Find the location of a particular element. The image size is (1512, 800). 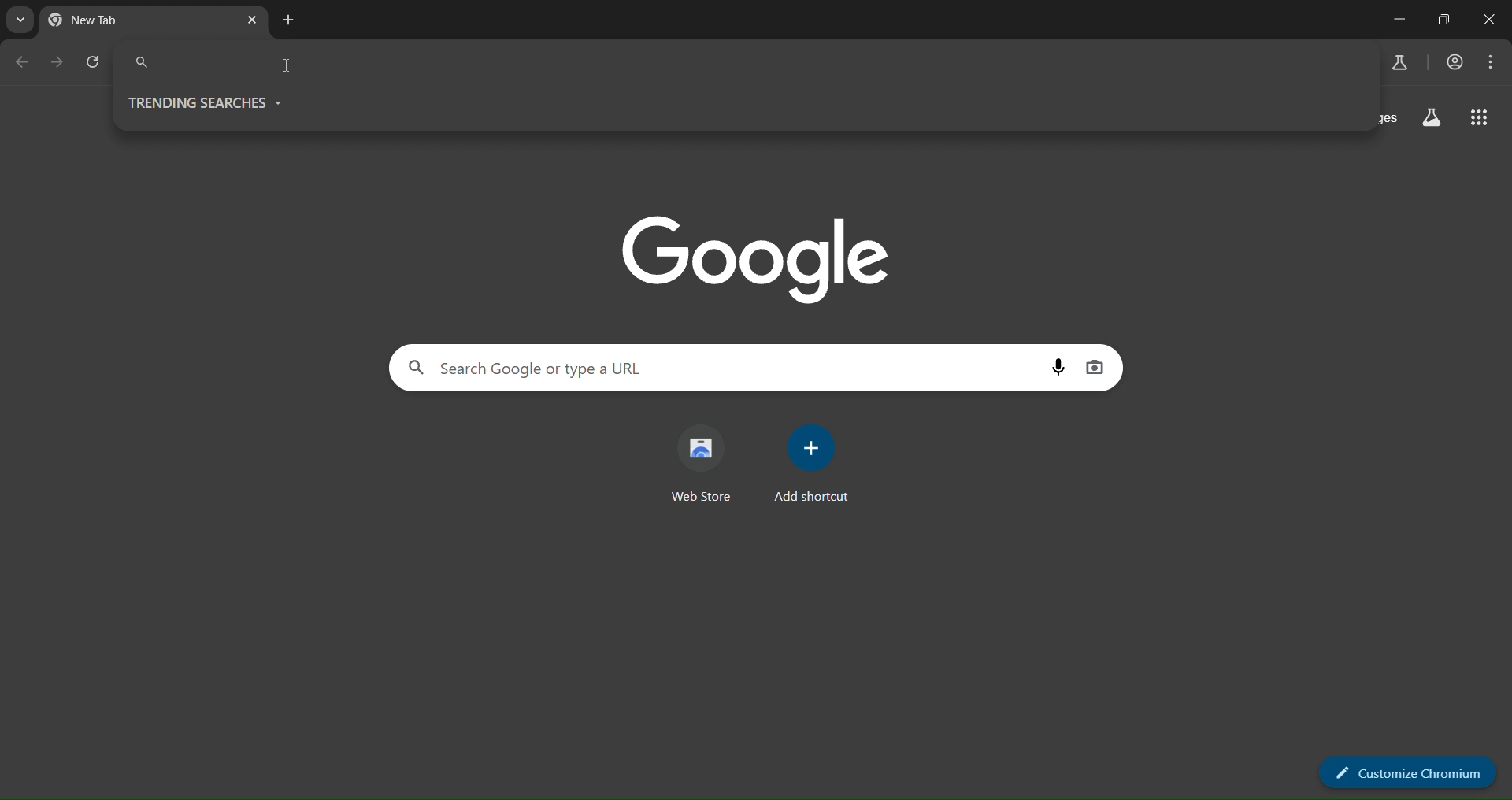

image search is located at coordinates (1095, 369).